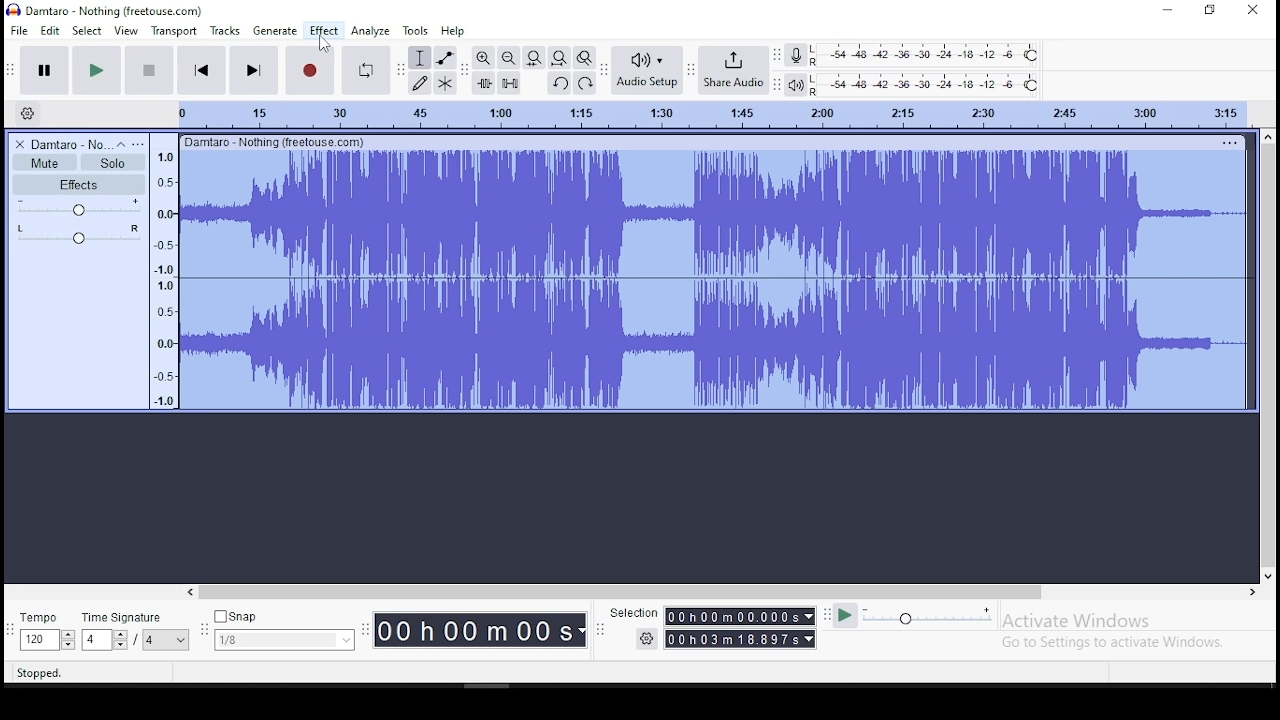 This screenshot has width=1280, height=720. I want to click on stop, so click(151, 70).